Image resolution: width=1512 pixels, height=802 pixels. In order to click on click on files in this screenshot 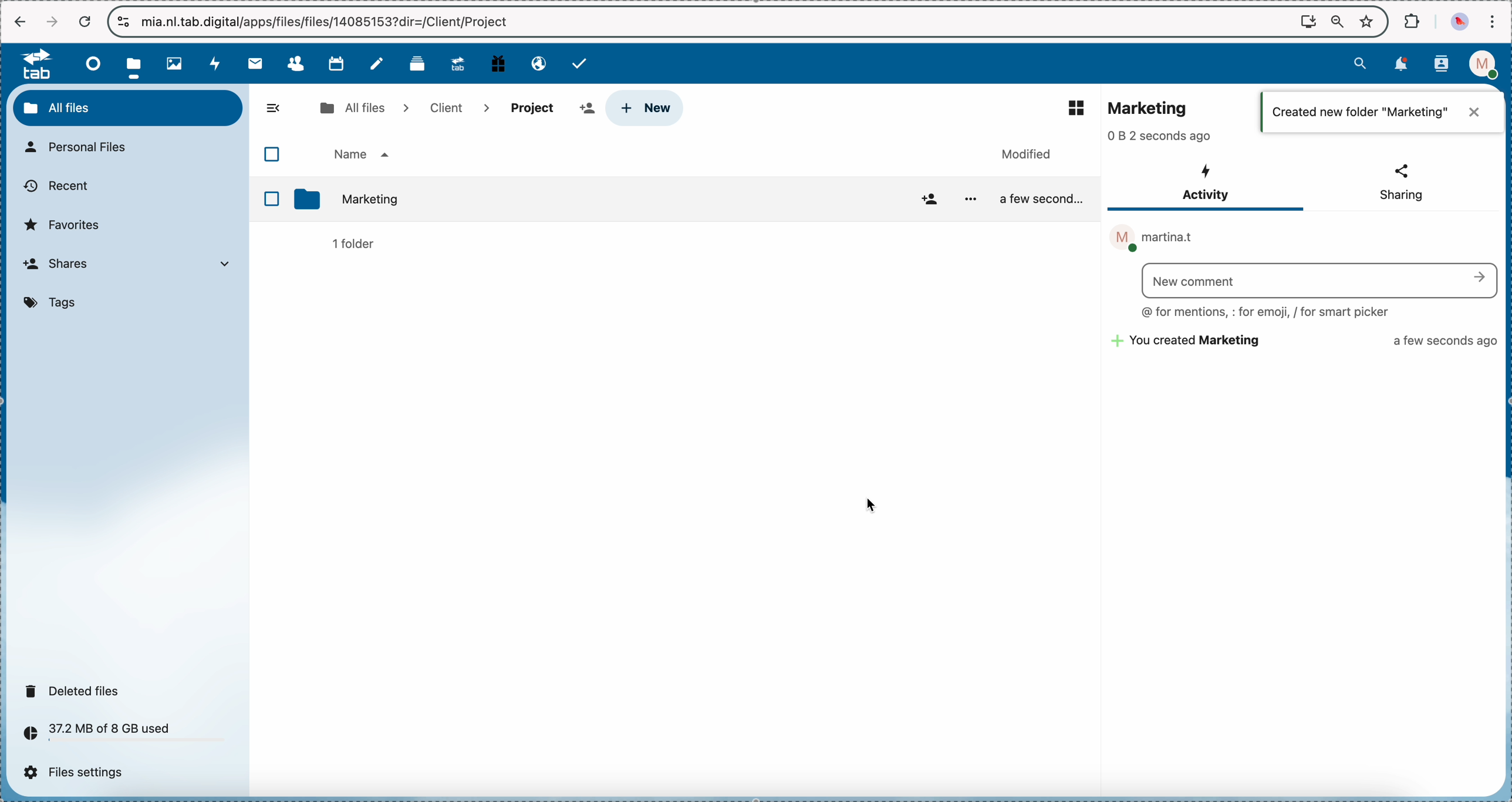, I will do `click(137, 63)`.